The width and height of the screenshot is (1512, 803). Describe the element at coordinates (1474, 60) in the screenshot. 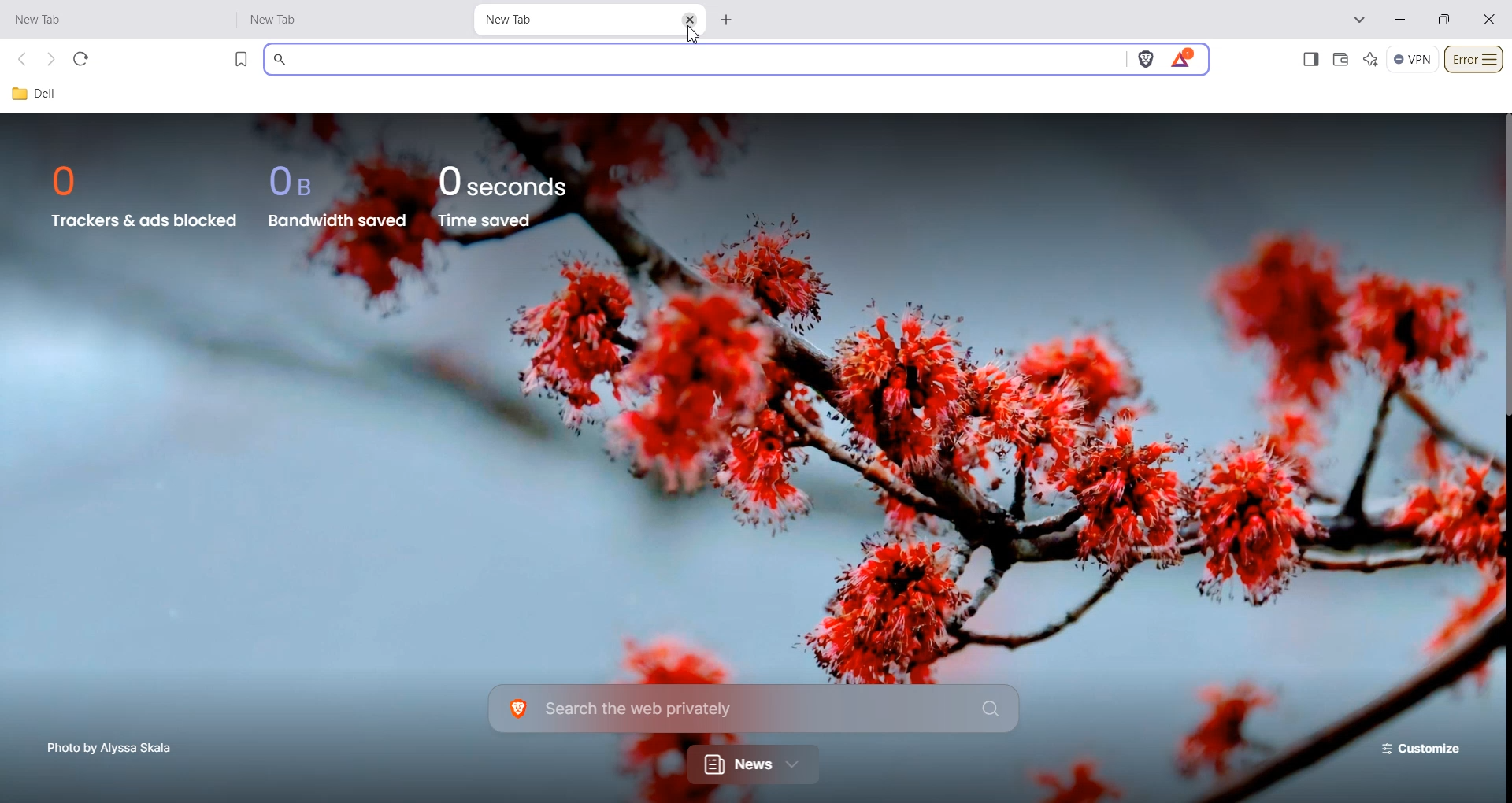

I see `Customize and control brave` at that location.